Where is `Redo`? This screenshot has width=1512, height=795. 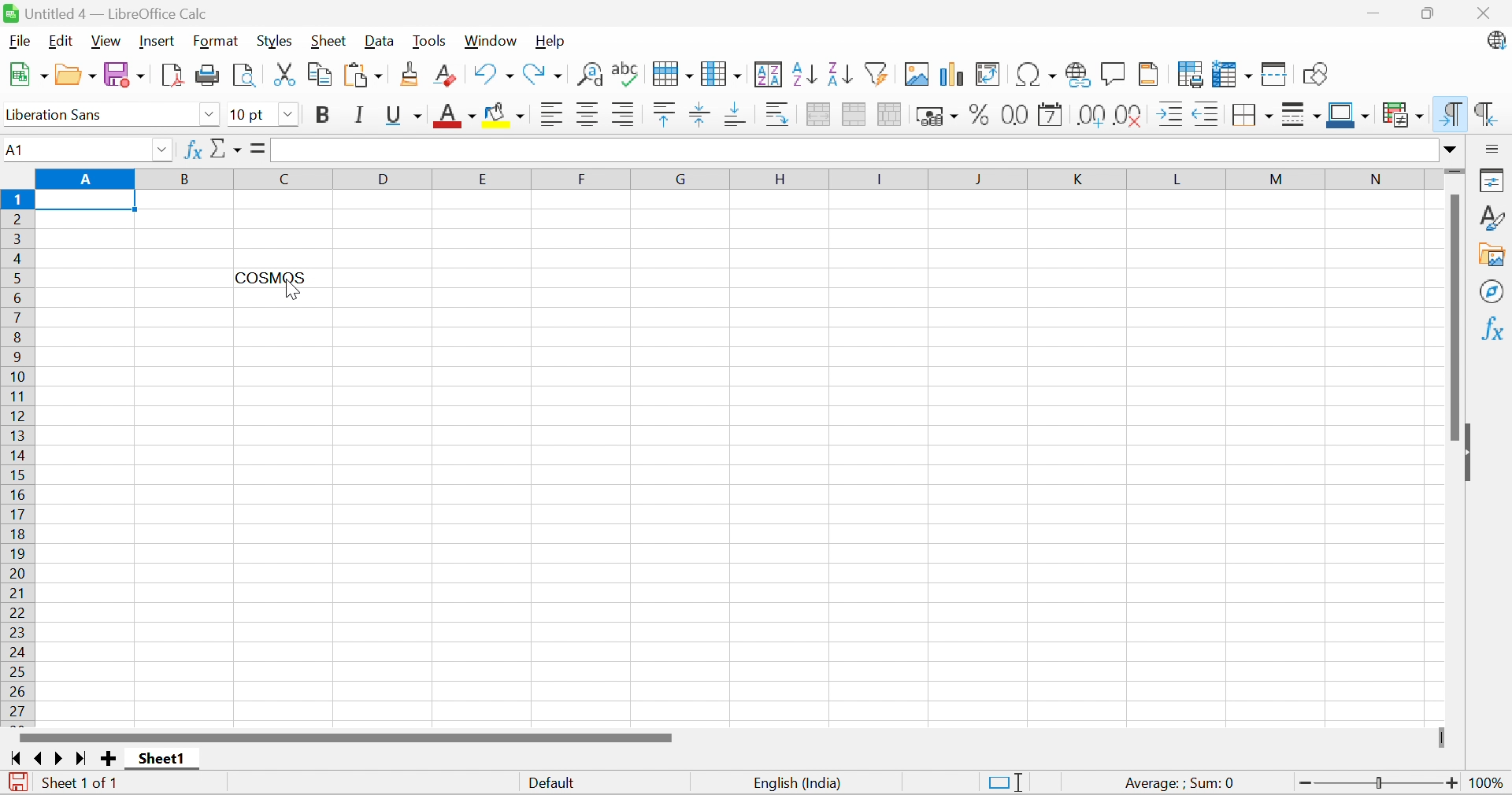
Redo is located at coordinates (546, 73).